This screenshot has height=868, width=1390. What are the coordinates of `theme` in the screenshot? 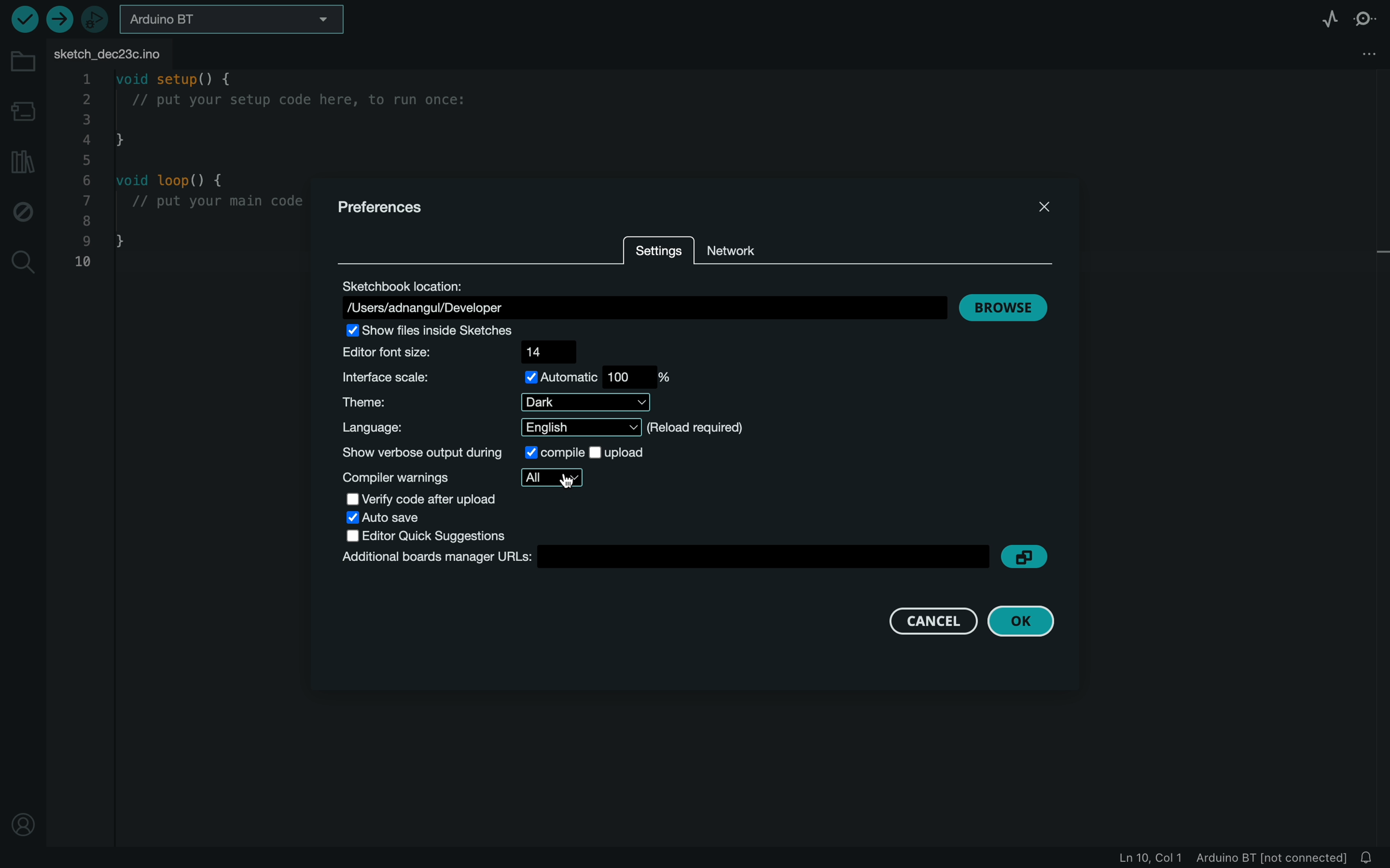 It's located at (497, 402).